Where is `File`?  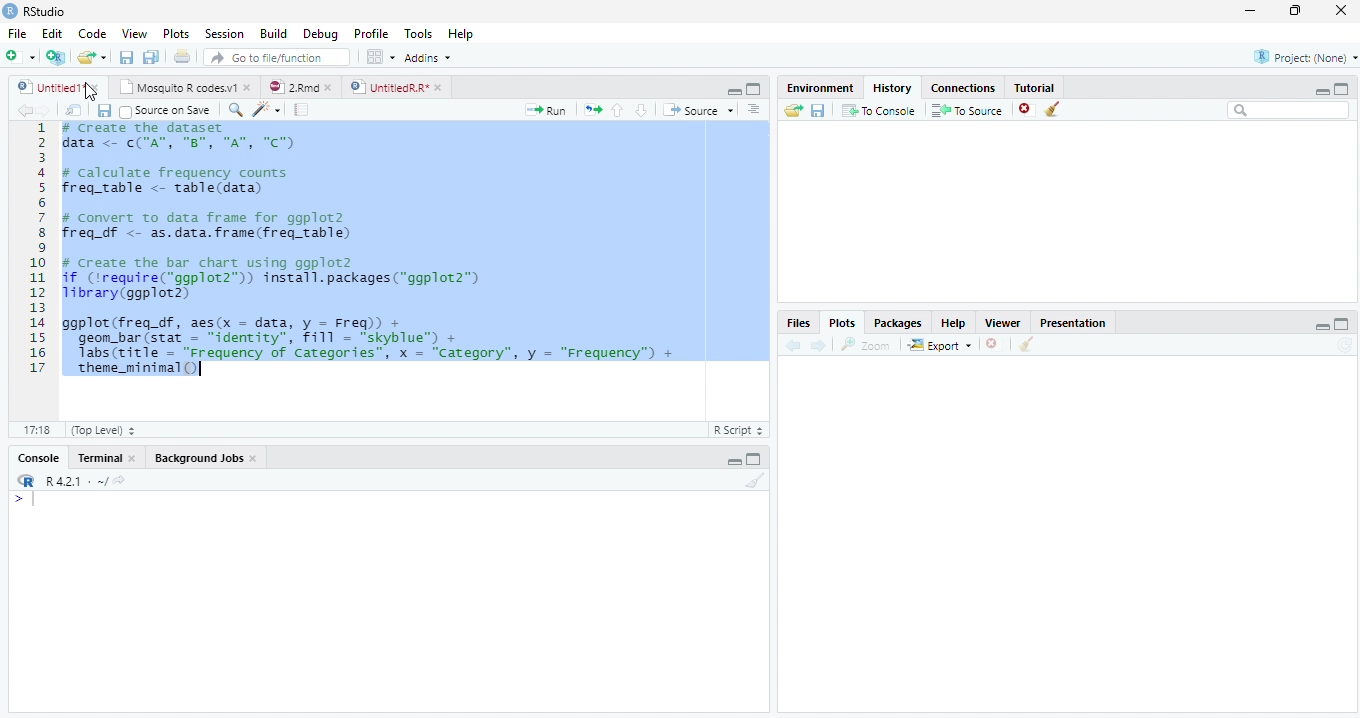 File is located at coordinates (14, 34).